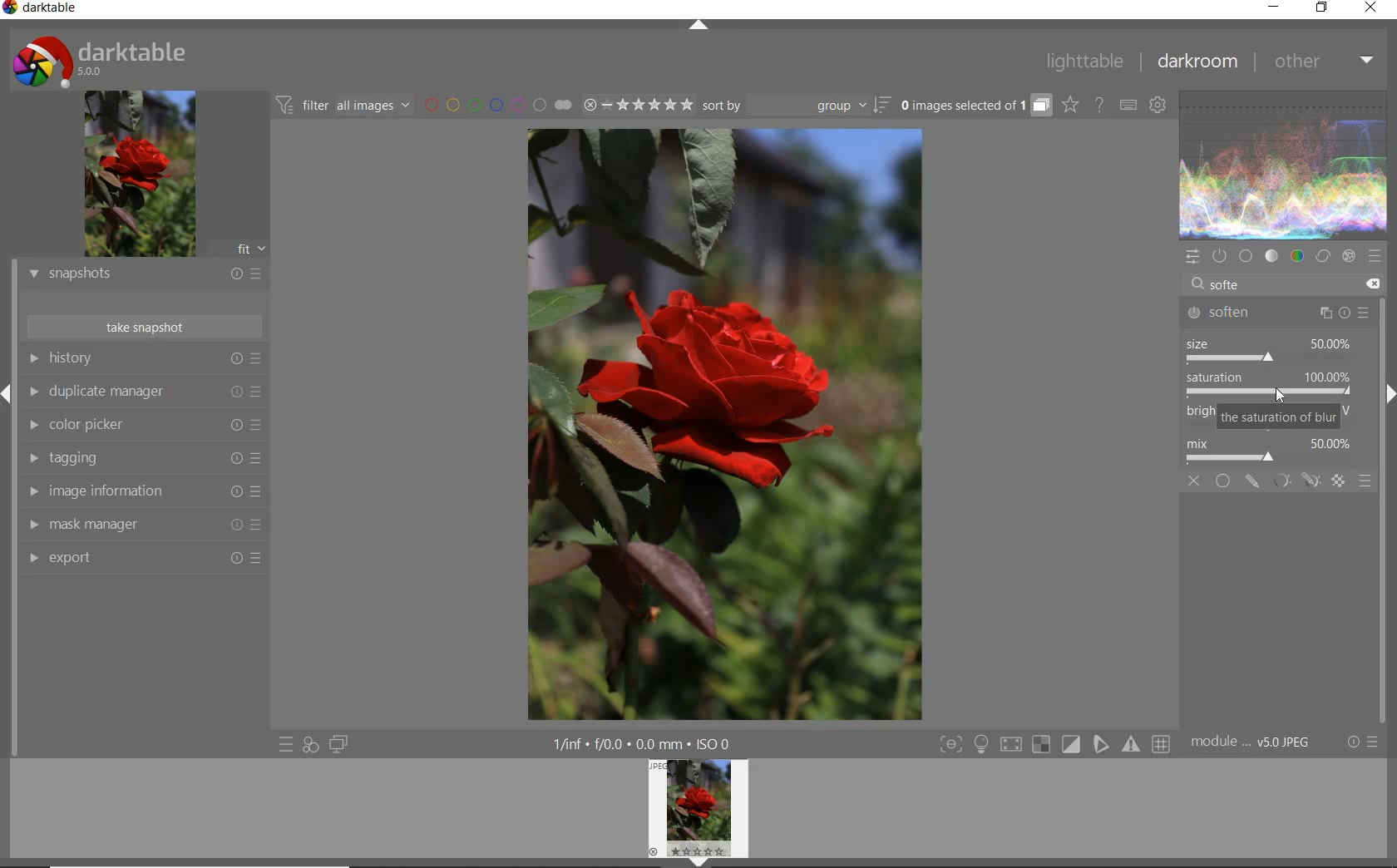 The height and width of the screenshot is (868, 1397). Describe the element at coordinates (142, 491) in the screenshot. I see `image information` at that location.